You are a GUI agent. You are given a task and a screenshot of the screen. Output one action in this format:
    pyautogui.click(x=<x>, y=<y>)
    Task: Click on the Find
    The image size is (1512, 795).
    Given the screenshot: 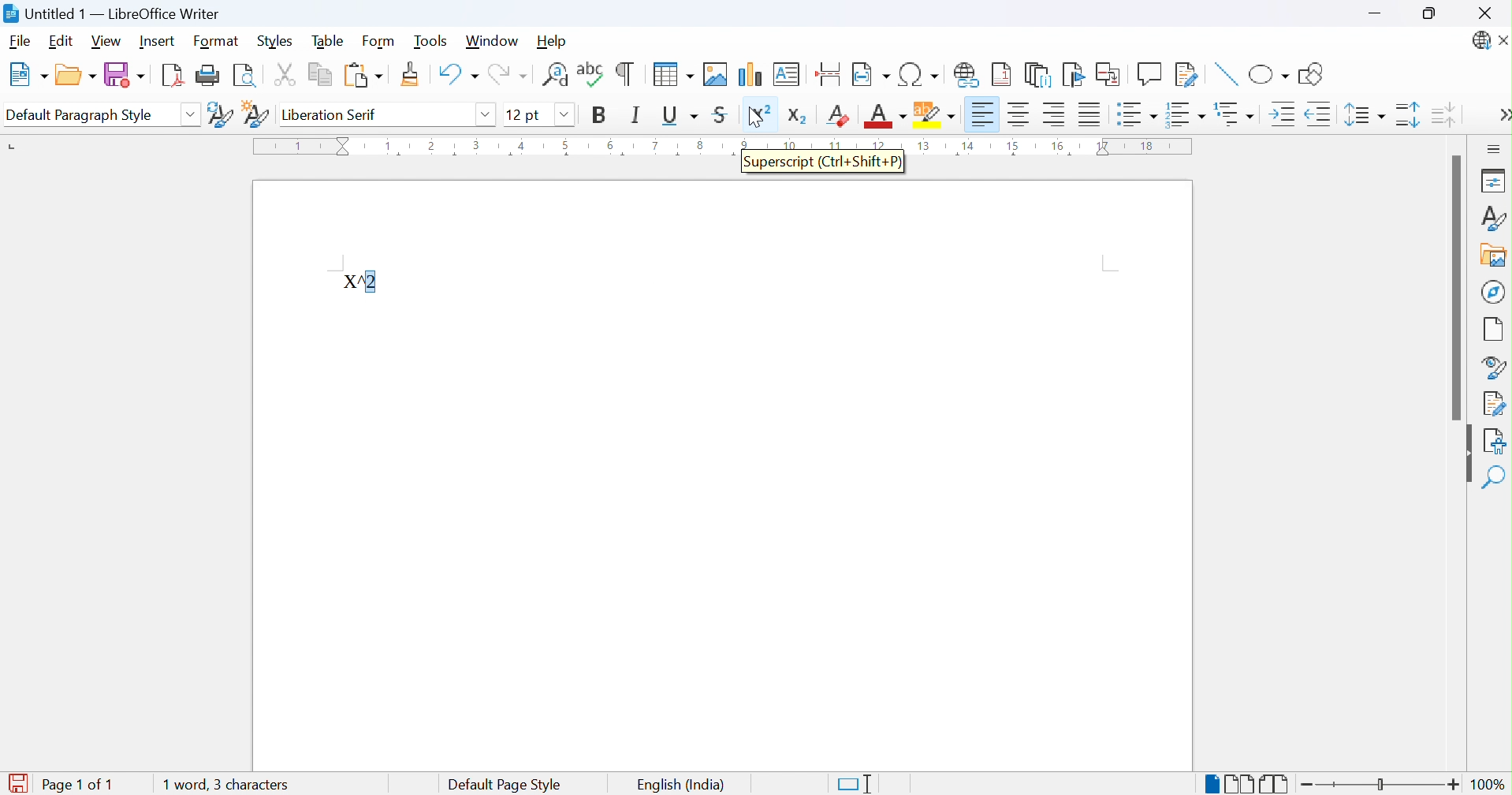 What is the action you would take?
    pyautogui.click(x=1496, y=477)
    